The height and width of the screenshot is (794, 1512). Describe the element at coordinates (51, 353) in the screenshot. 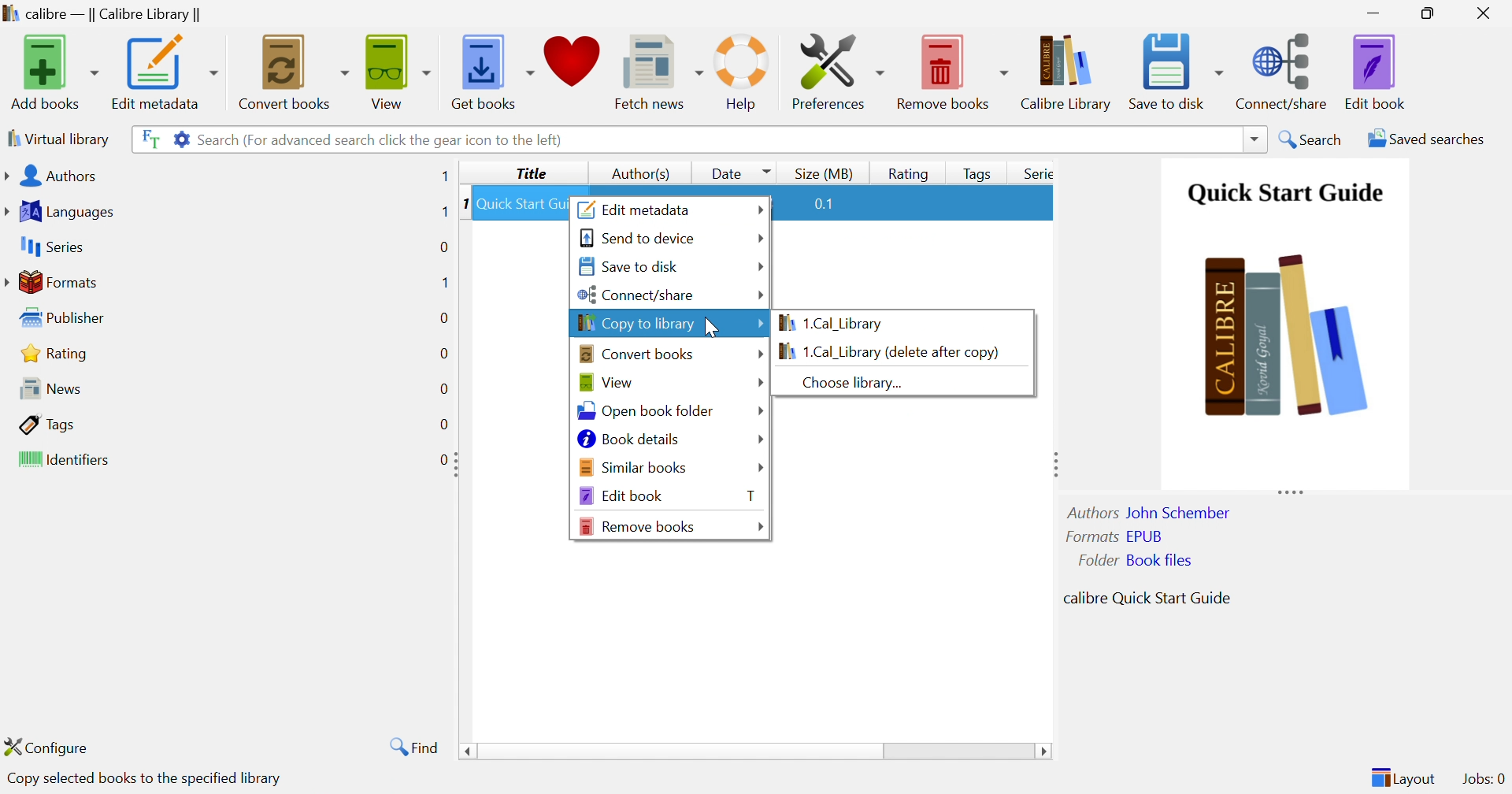

I see `Rating` at that location.